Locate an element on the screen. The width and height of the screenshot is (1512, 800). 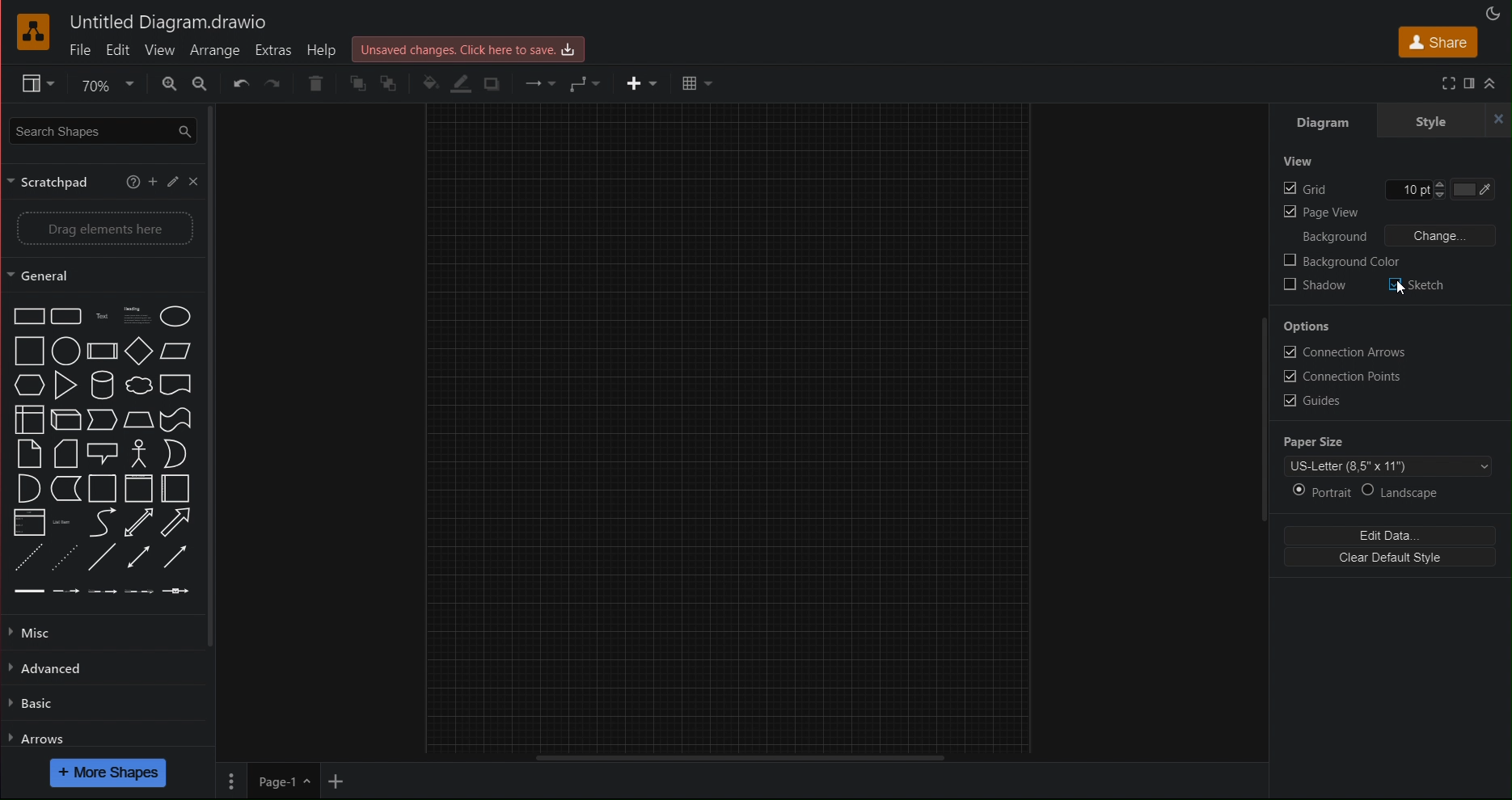
connector with 2 label is located at coordinates (100, 594).